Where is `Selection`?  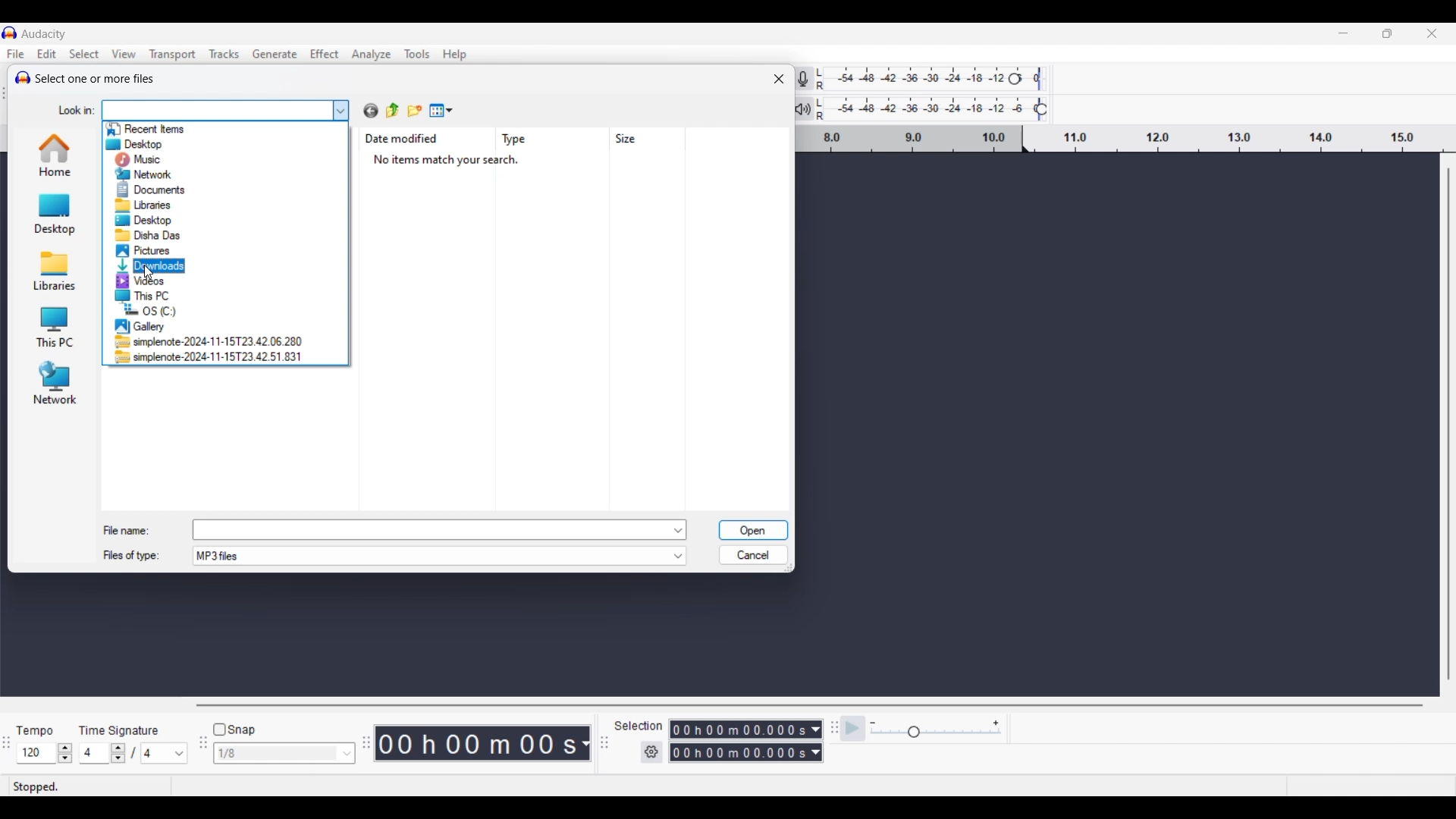 Selection is located at coordinates (639, 726).